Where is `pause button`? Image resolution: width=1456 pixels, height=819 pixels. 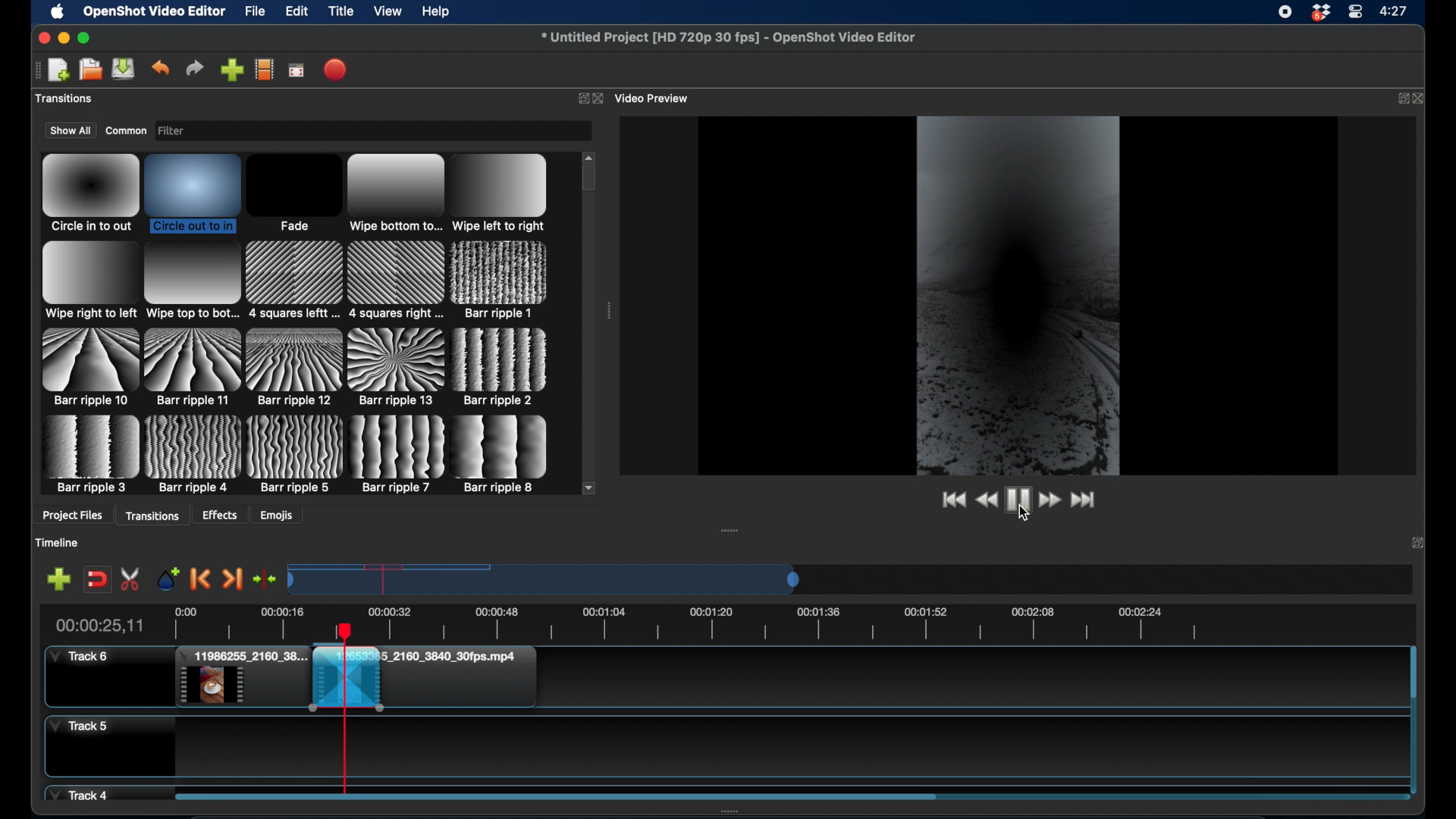 pause button is located at coordinates (1018, 499).